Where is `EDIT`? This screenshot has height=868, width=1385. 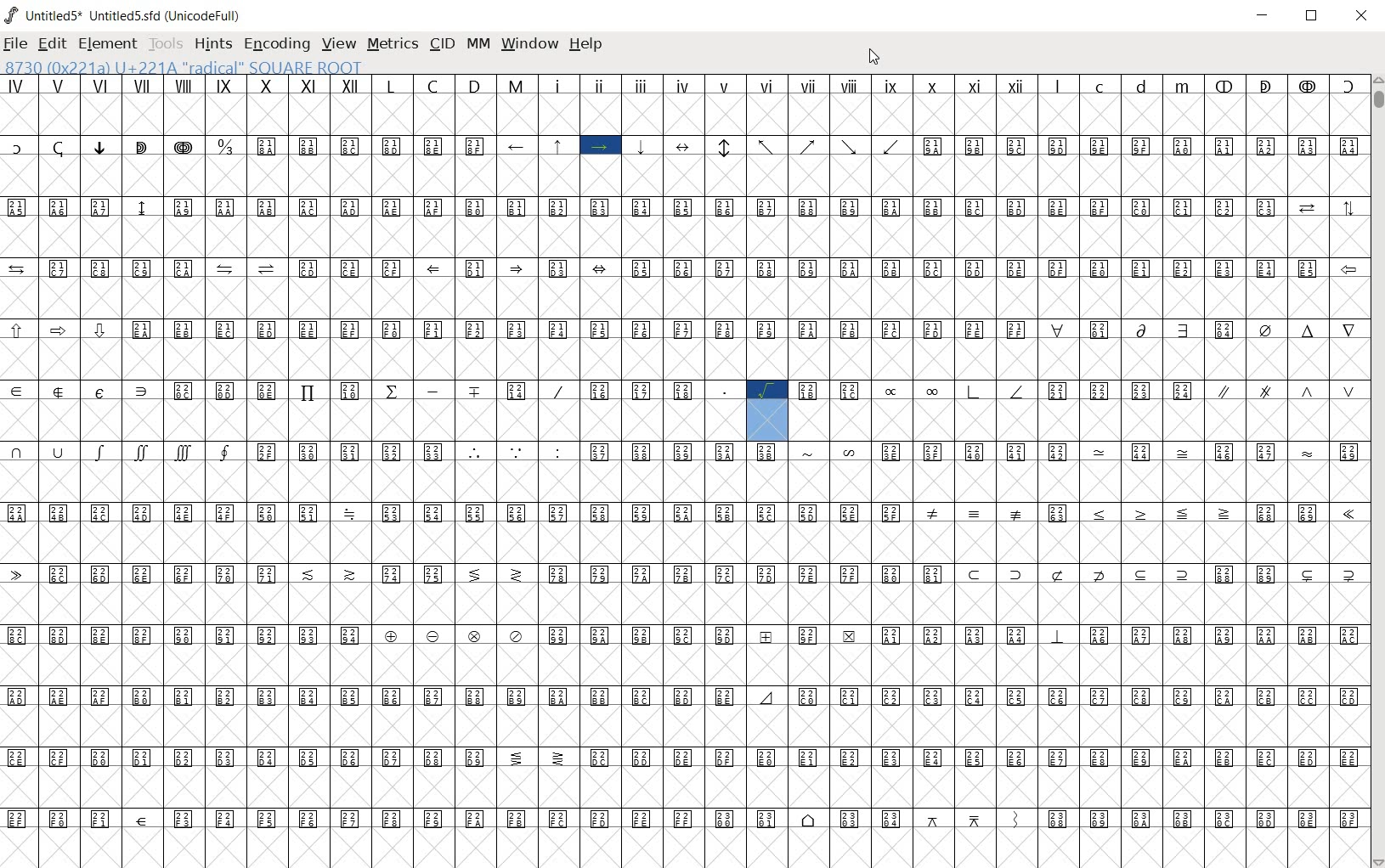
EDIT is located at coordinates (51, 45).